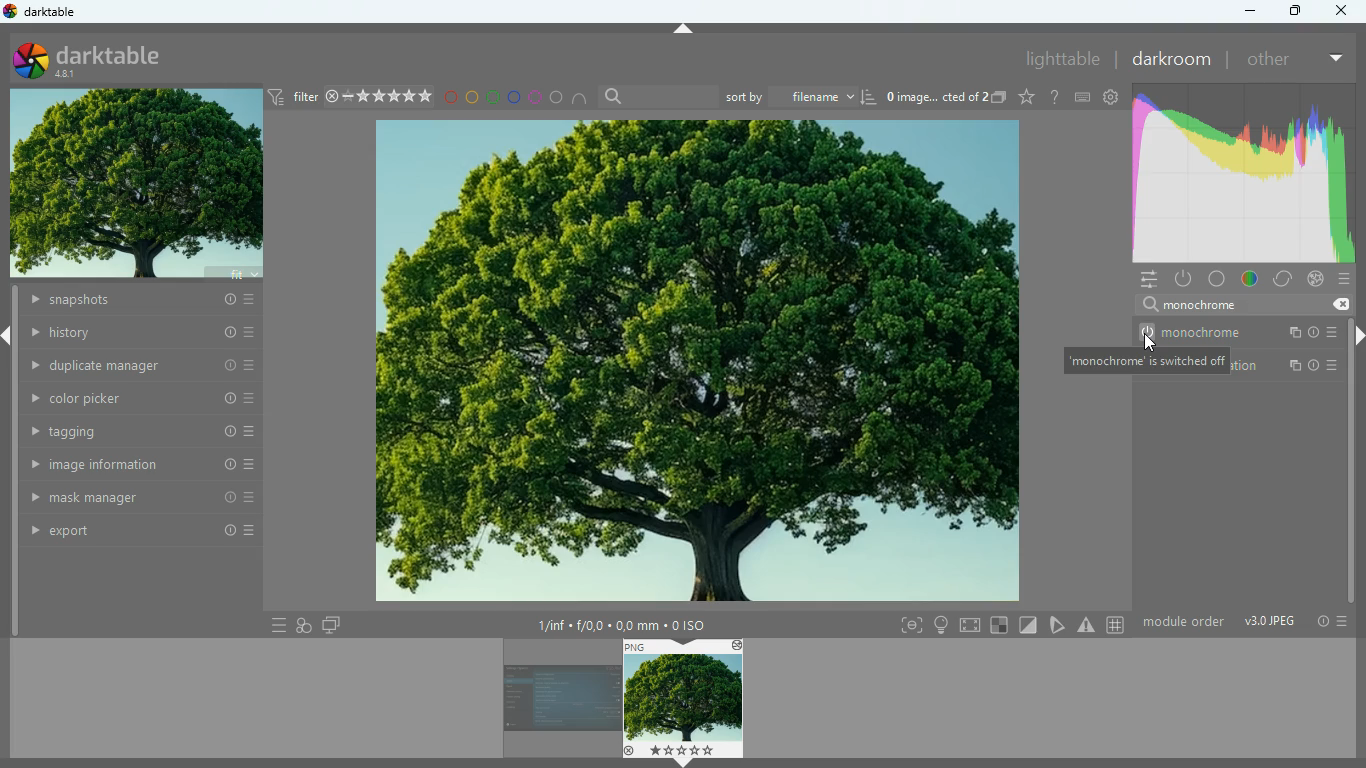 The image size is (1366, 768). What do you see at coordinates (1343, 279) in the screenshot?
I see `menu` at bounding box center [1343, 279].